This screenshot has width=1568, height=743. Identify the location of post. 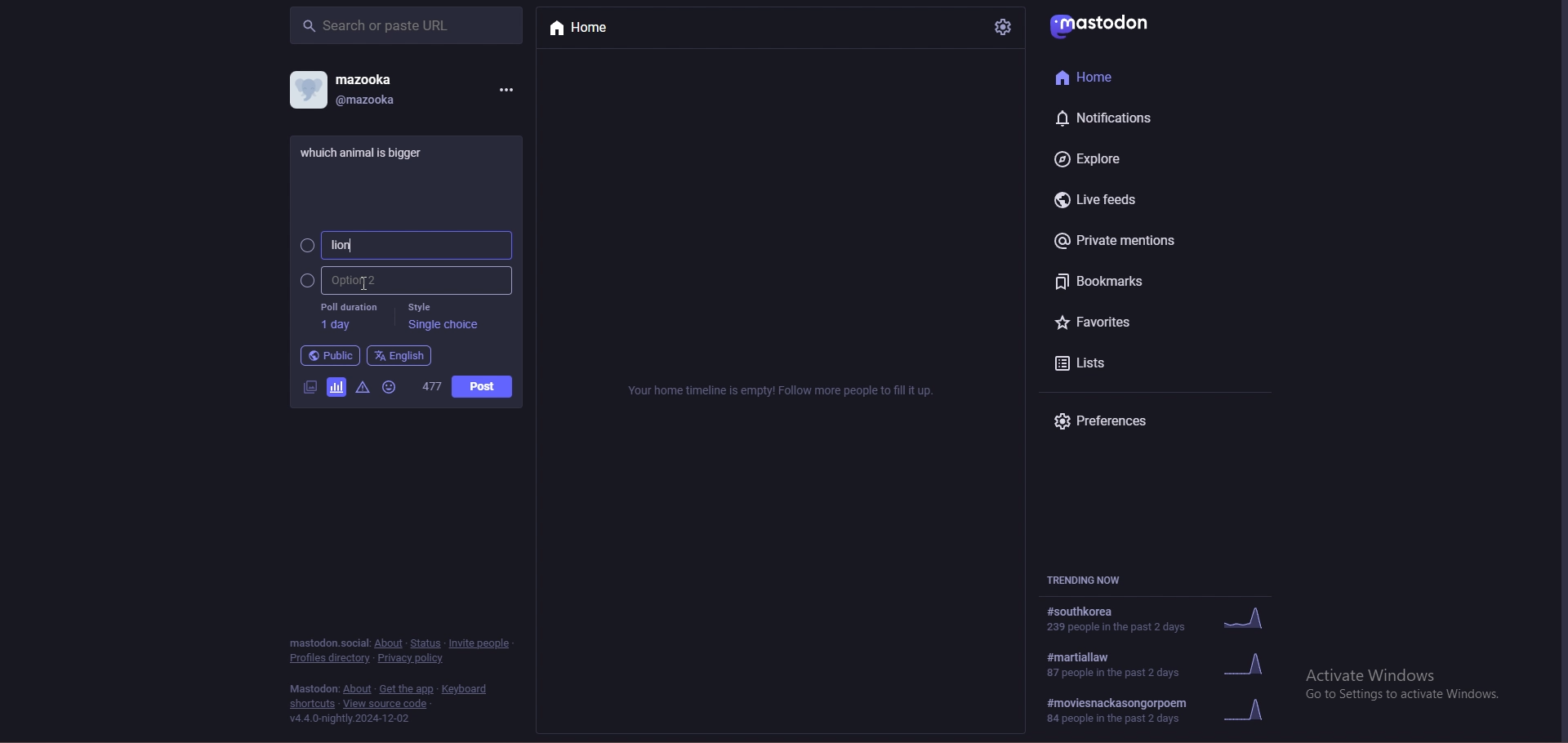
(370, 151).